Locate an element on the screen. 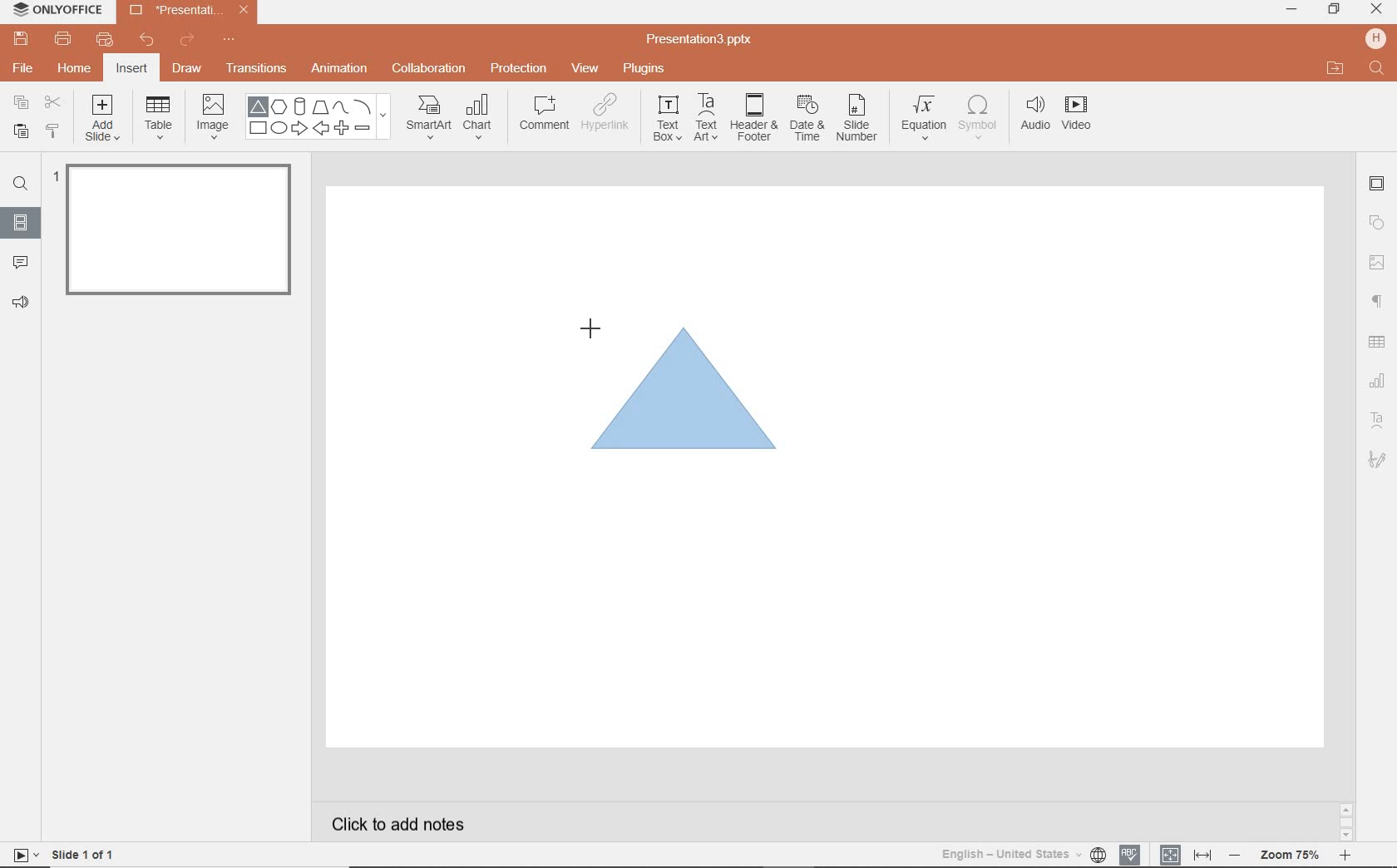  SYMBOL is located at coordinates (980, 114).